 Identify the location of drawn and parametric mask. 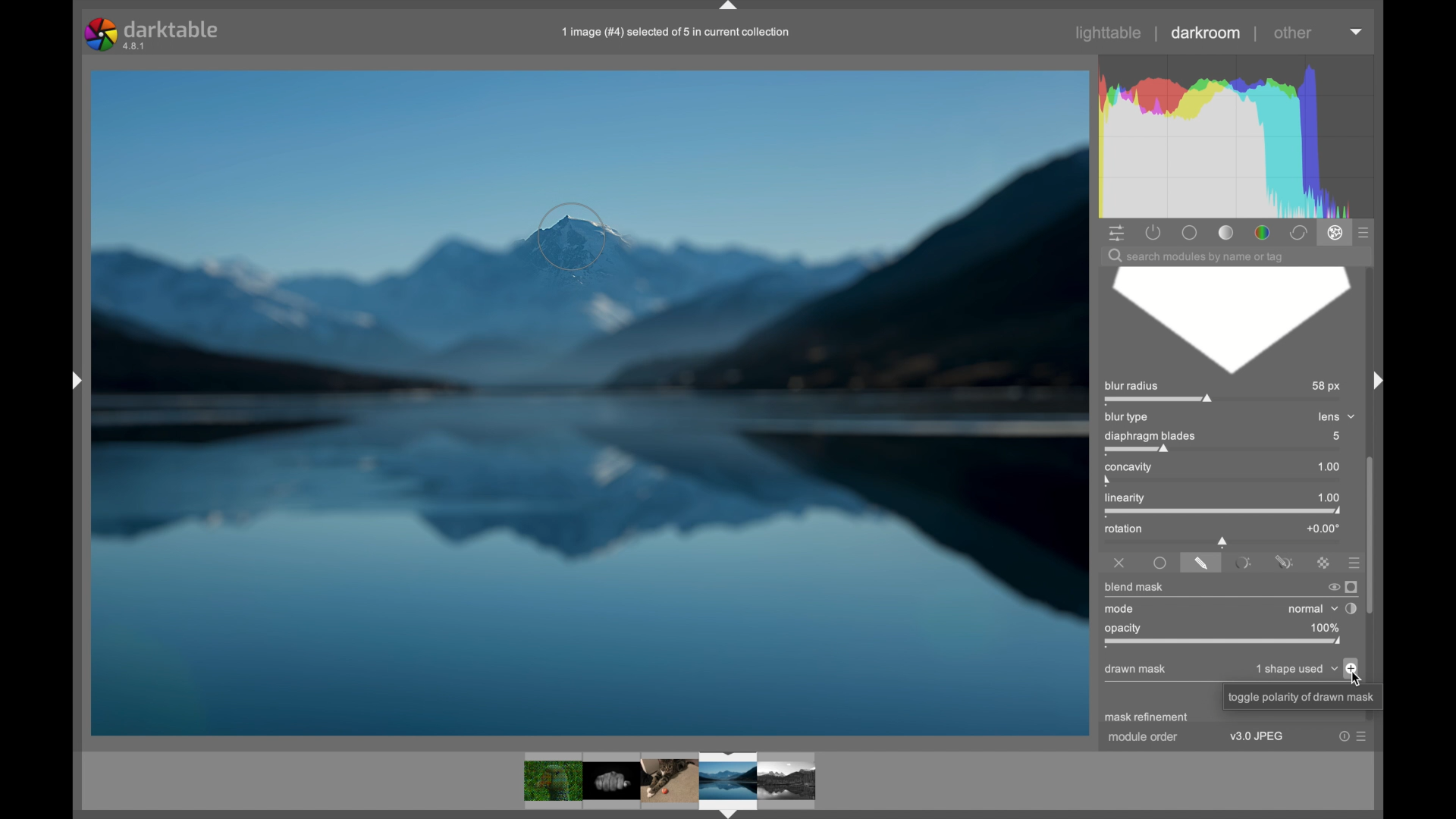
(1284, 560).